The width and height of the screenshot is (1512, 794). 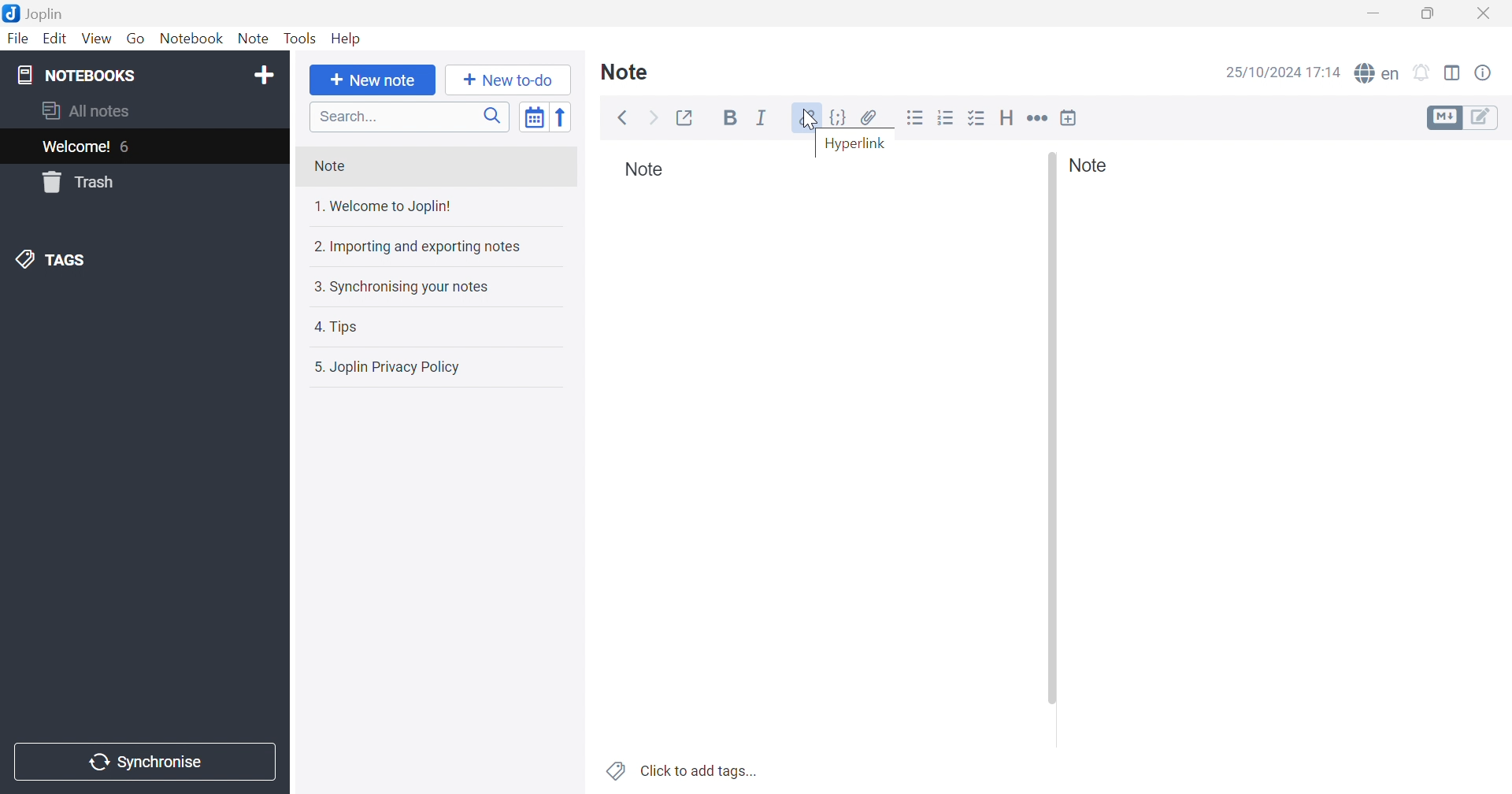 What do you see at coordinates (1453, 72) in the screenshot?
I see `Toggle editor layout` at bounding box center [1453, 72].